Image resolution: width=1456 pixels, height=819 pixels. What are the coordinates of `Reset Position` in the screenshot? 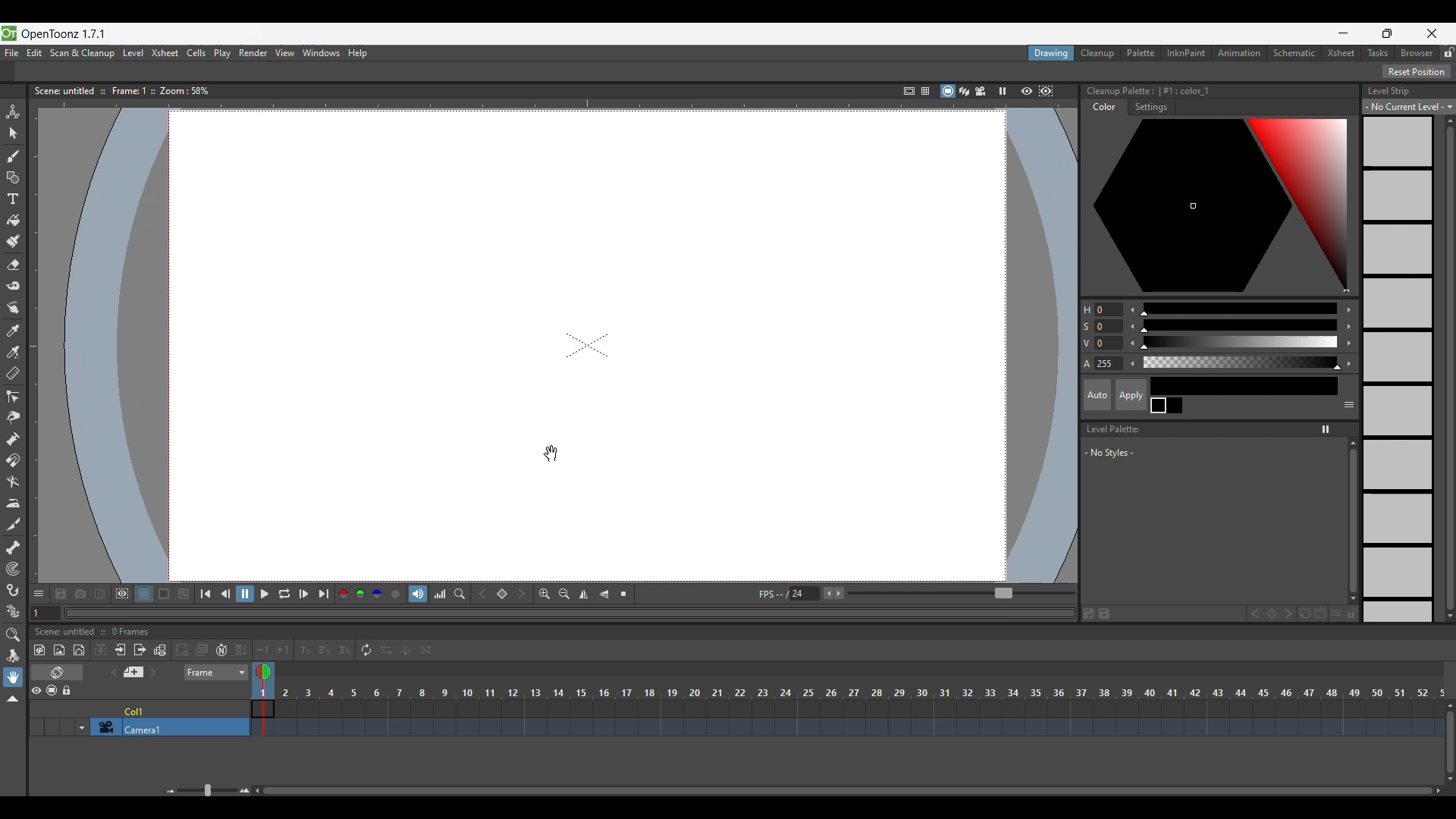 It's located at (1417, 72).